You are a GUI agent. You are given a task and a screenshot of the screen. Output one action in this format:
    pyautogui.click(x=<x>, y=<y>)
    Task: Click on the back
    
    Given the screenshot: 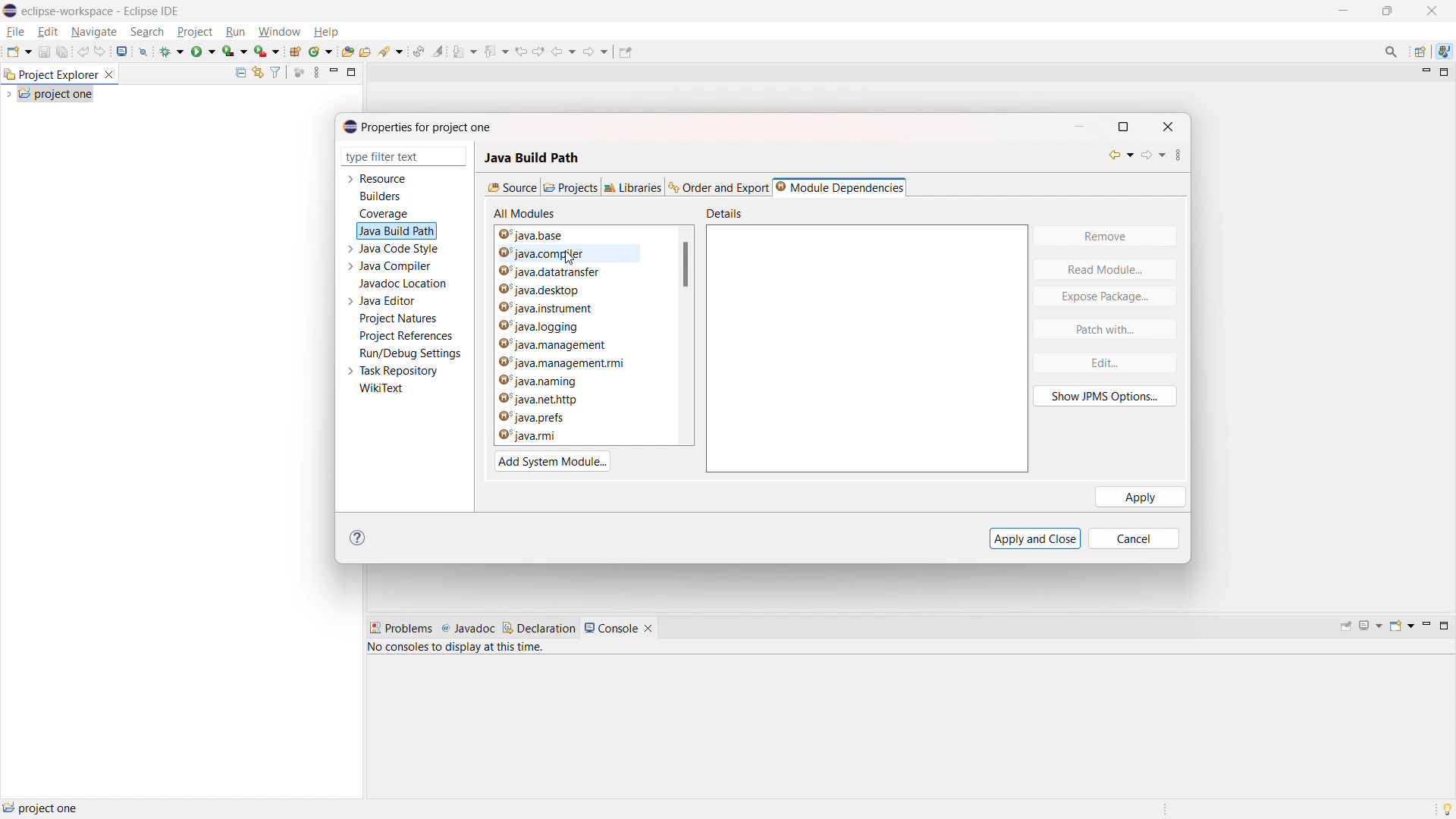 What is the action you would take?
    pyautogui.click(x=563, y=50)
    